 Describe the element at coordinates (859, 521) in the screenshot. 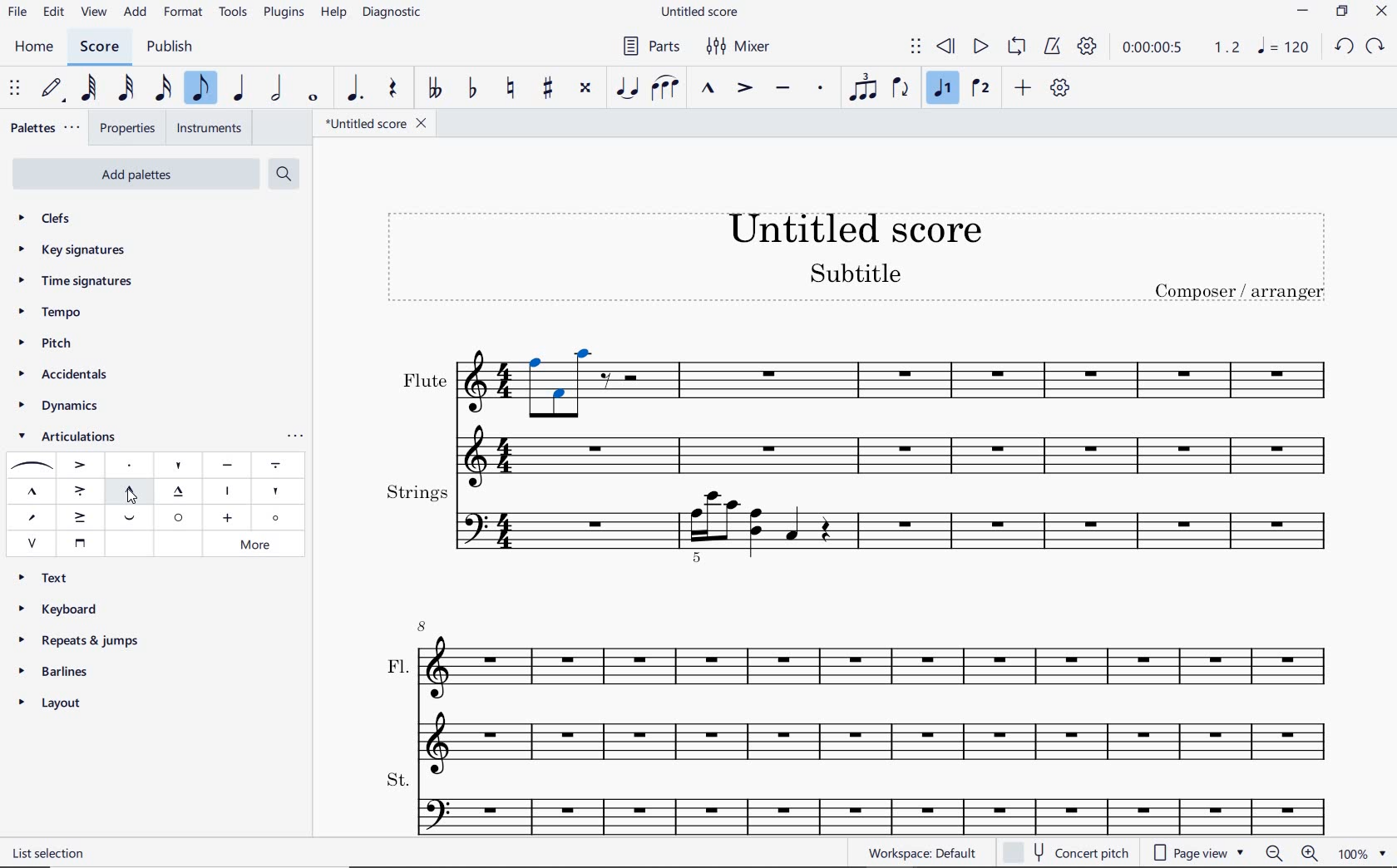

I see `strings` at that location.